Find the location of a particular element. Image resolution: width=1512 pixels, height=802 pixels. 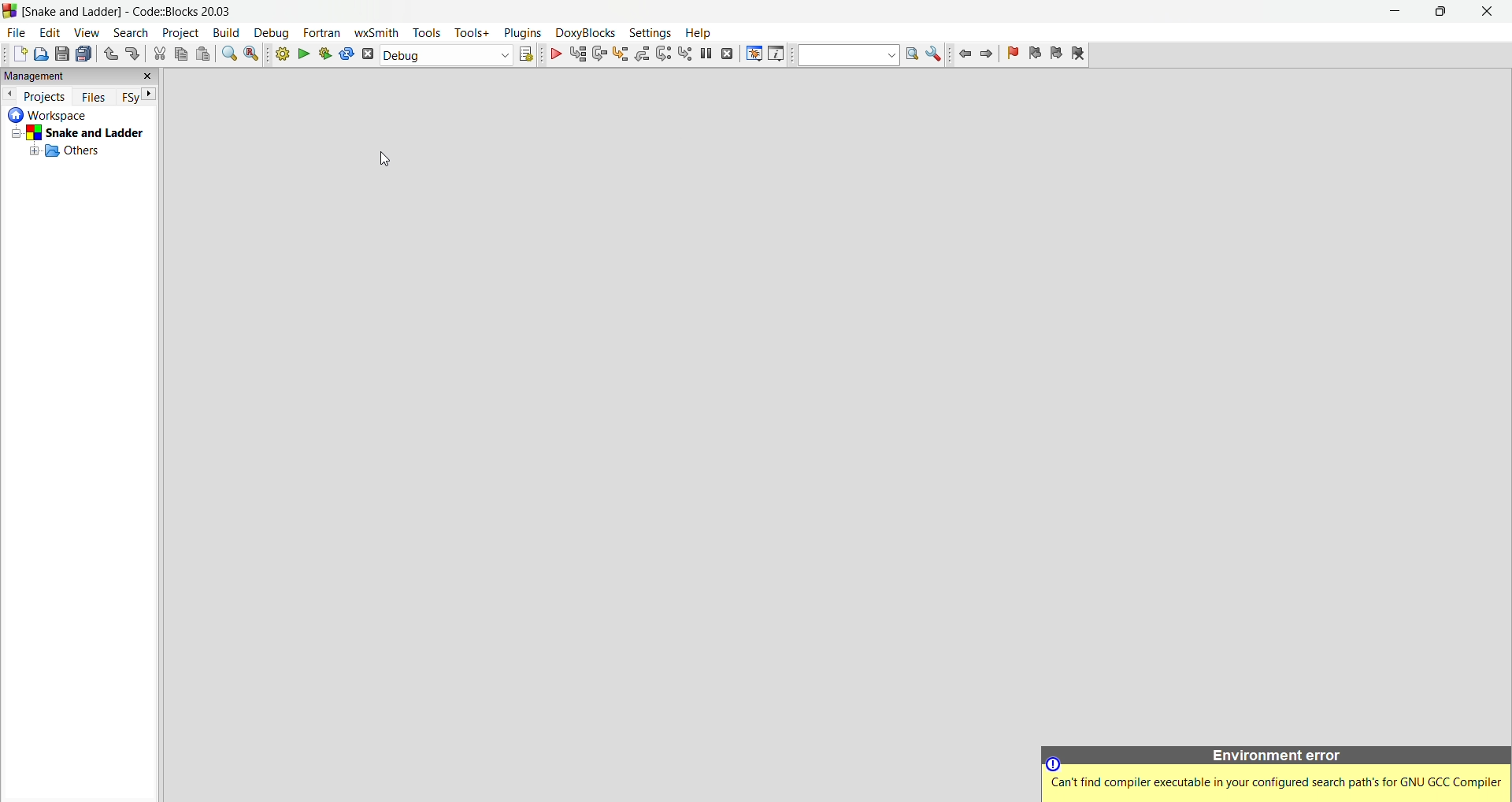

 is located at coordinates (584, 32).